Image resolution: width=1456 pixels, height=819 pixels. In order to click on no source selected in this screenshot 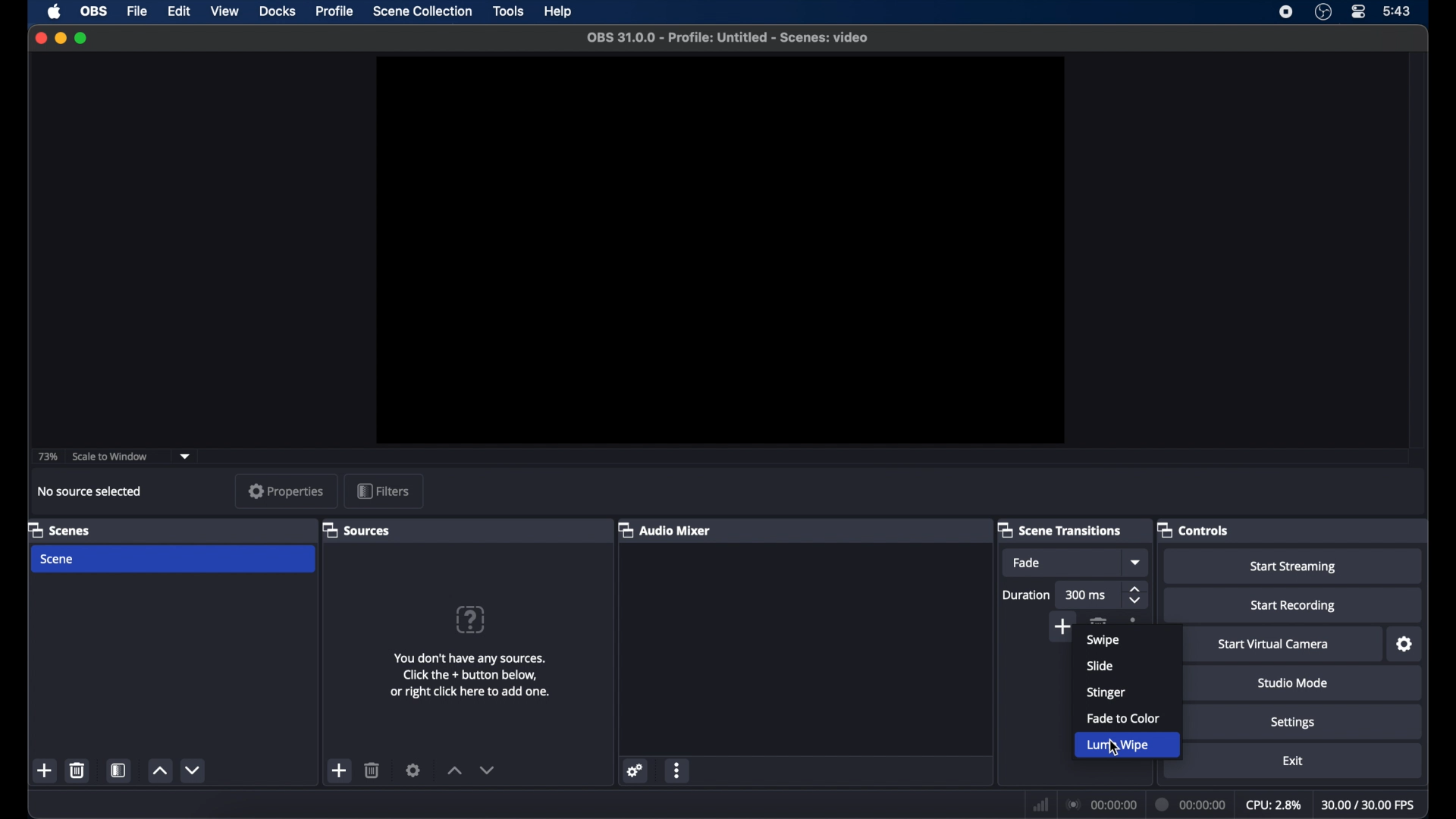, I will do `click(89, 491)`.